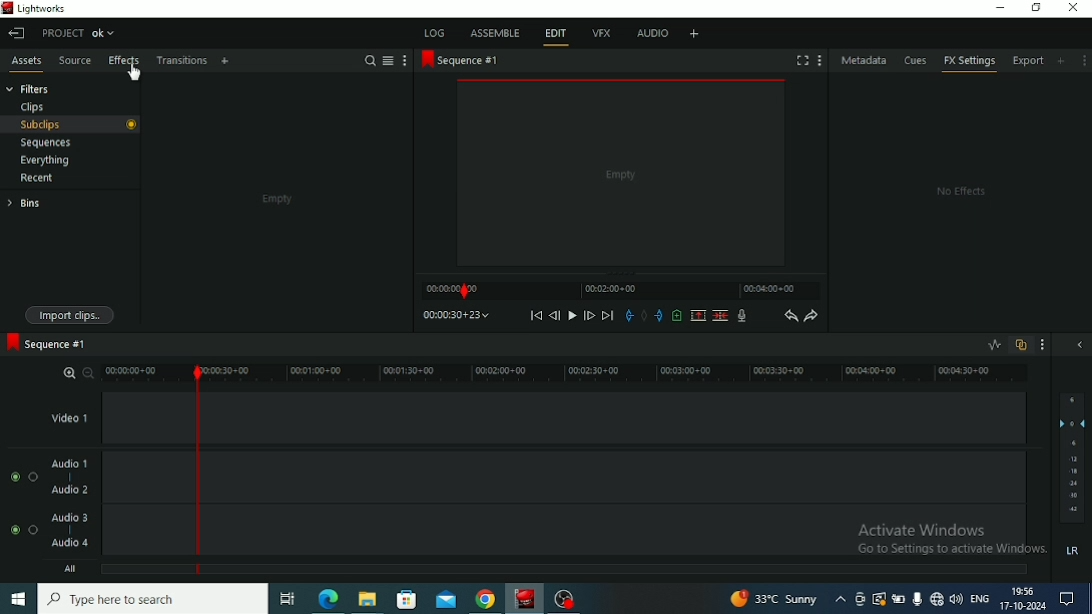  What do you see at coordinates (698, 315) in the screenshot?
I see `Remove the section` at bounding box center [698, 315].